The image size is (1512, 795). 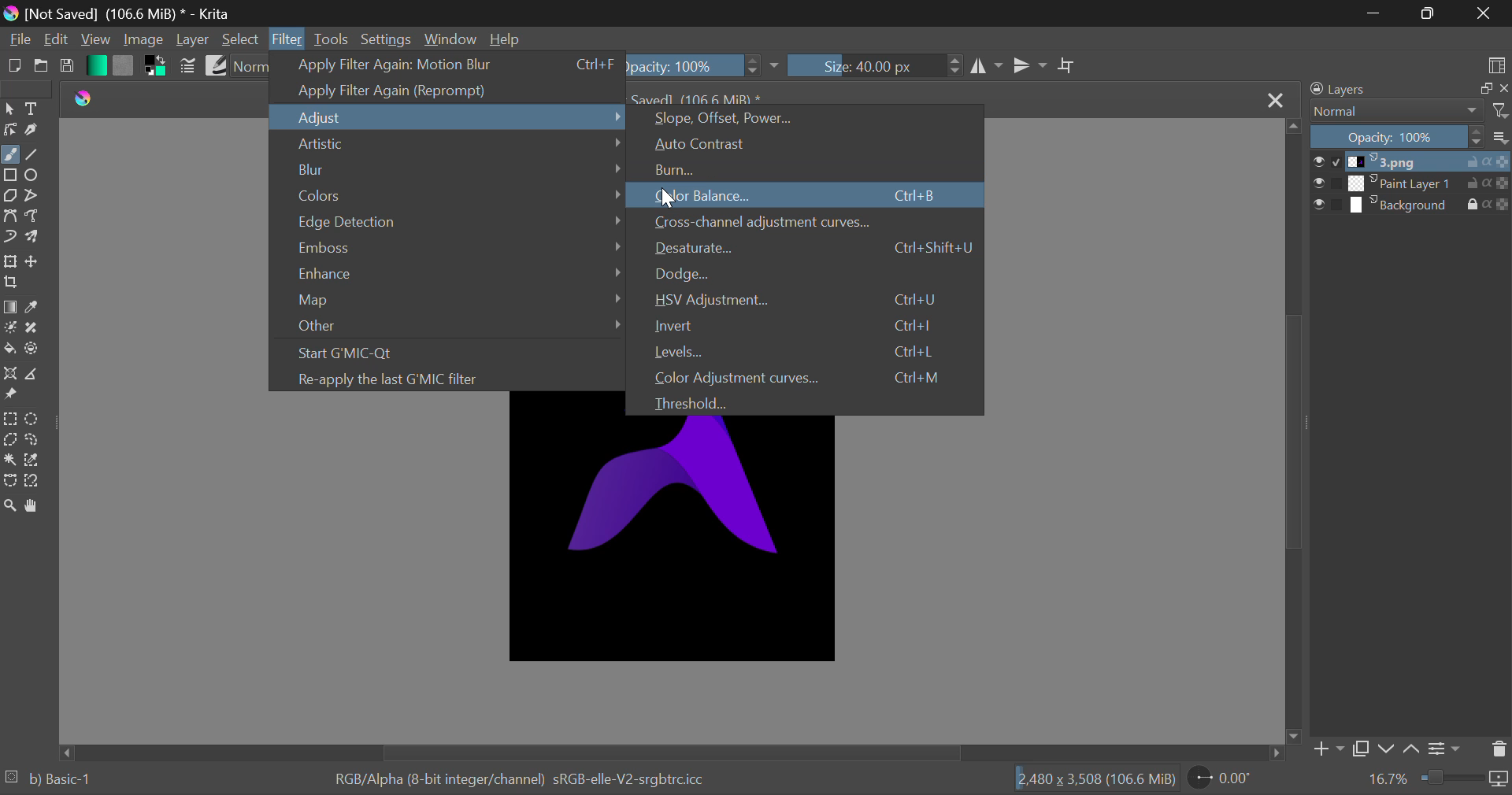 I want to click on Normal, so click(x=1395, y=112).